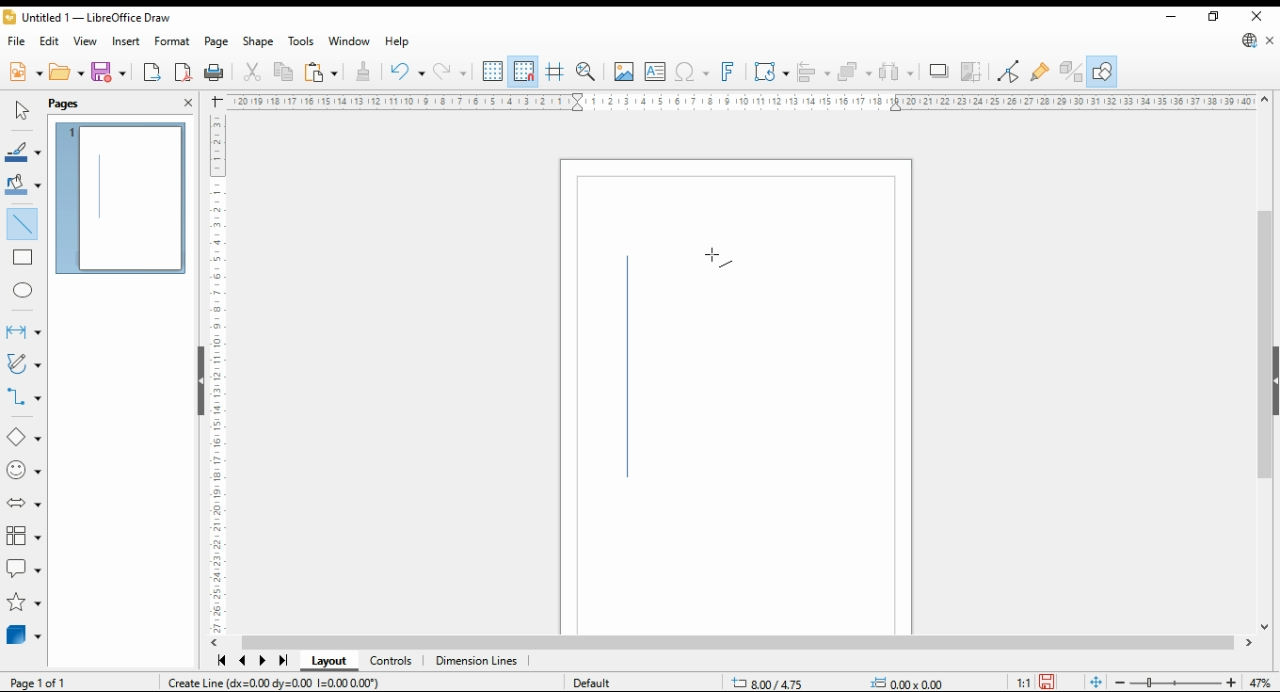  What do you see at coordinates (556, 70) in the screenshot?
I see `helplines for moving` at bounding box center [556, 70].